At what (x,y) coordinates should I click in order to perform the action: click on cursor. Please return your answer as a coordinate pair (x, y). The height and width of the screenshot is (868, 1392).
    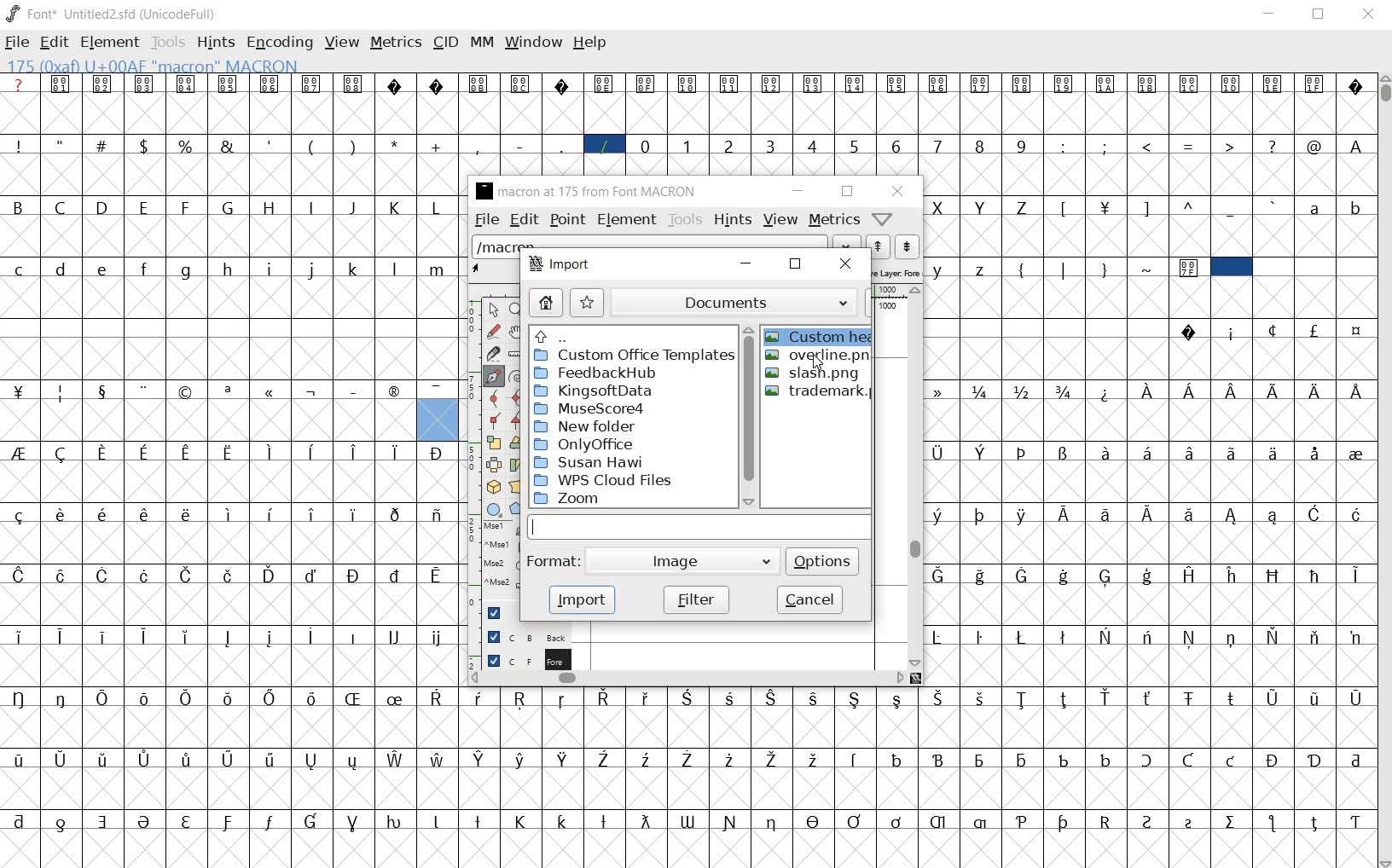
    Looking at the image, I should click on (816, 367).